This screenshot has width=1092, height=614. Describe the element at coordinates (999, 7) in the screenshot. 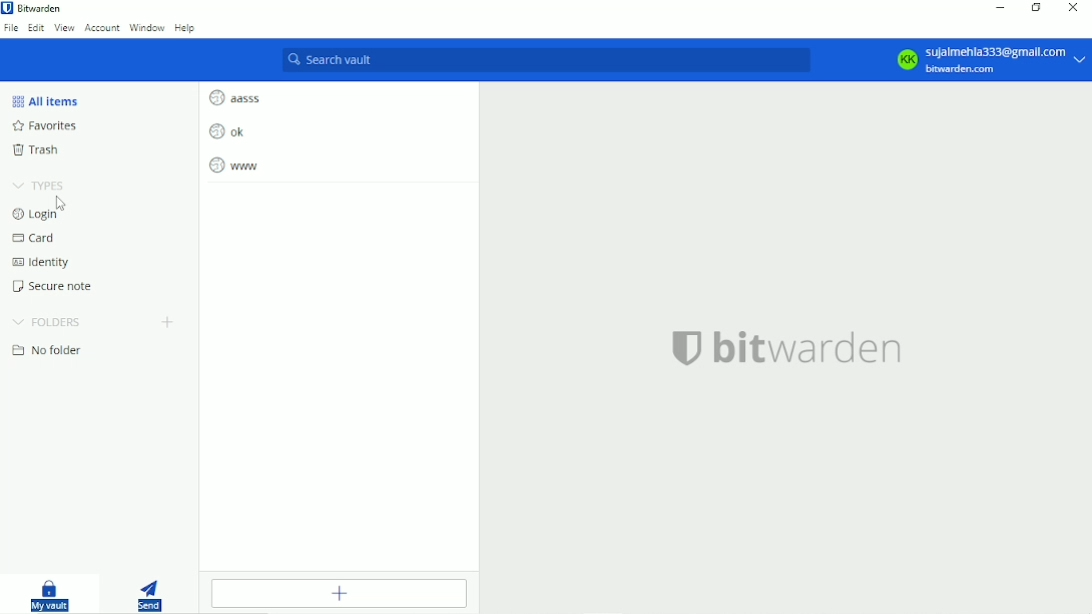

I see `Minimize` at that location.